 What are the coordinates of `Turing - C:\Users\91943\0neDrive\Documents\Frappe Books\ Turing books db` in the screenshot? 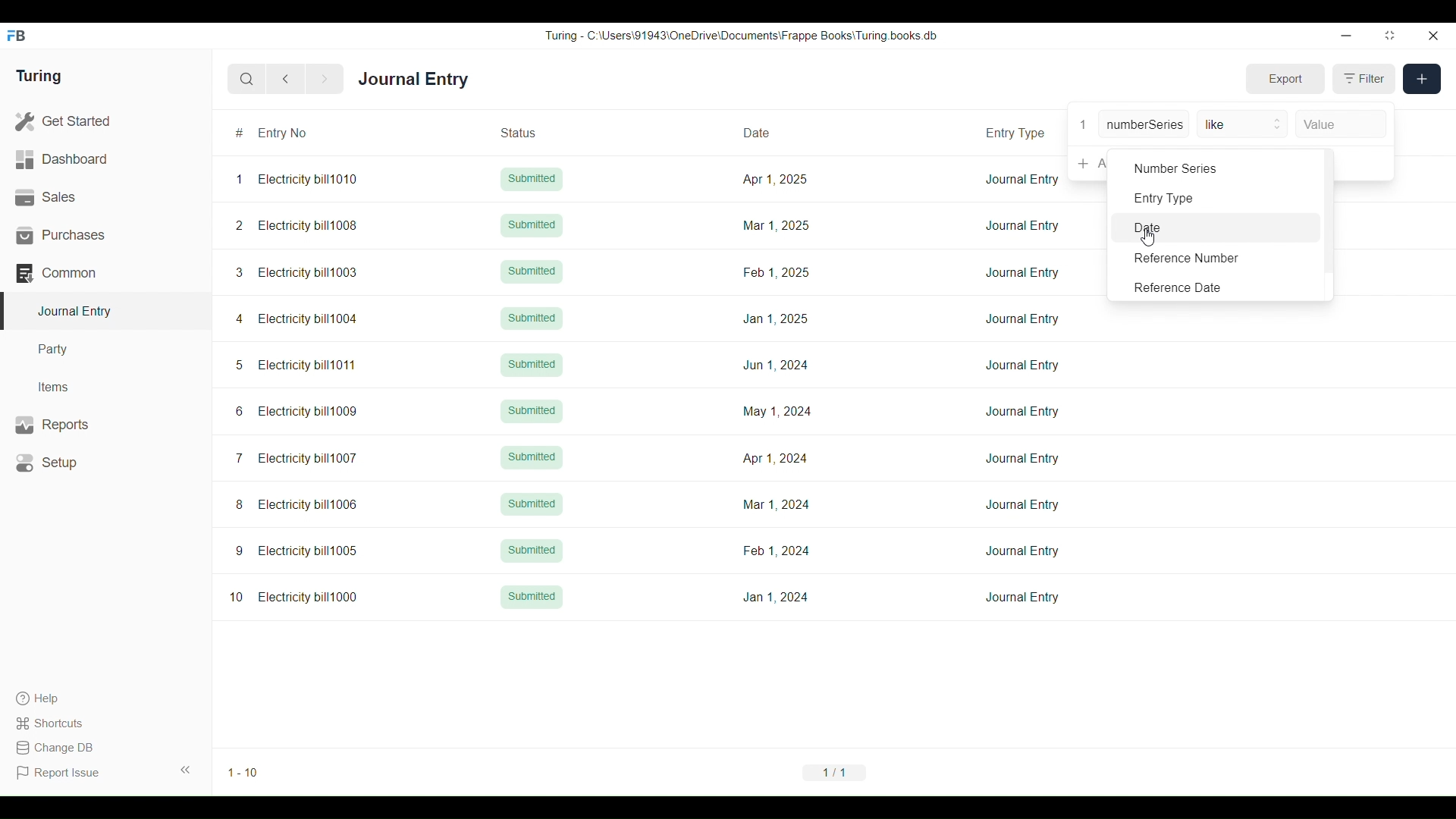 It's located at (740, 36).